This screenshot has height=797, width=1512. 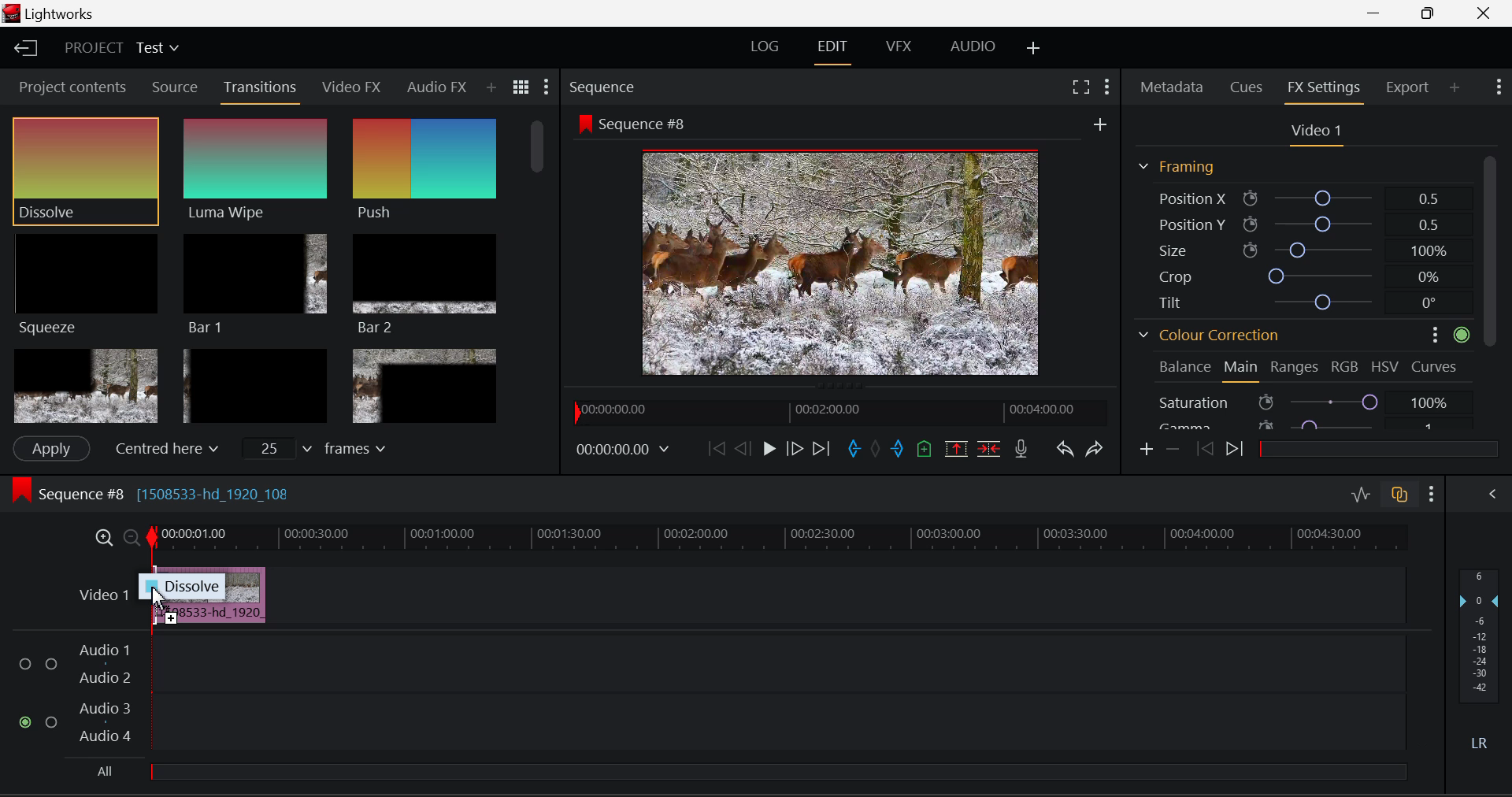 What do you see at coordinates (67, 86) in the screenshot?
I see `Project contents` at bounding box center [67, 86].